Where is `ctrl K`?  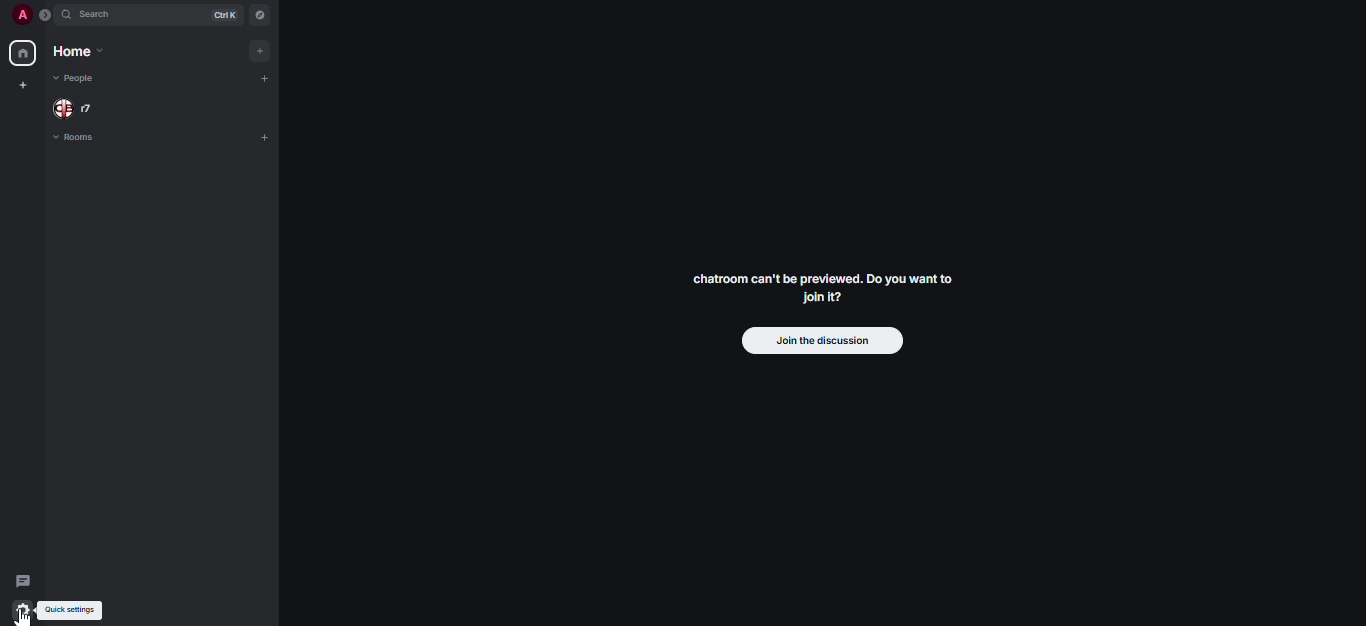 ctrl K is located at coordinates (225, 13).